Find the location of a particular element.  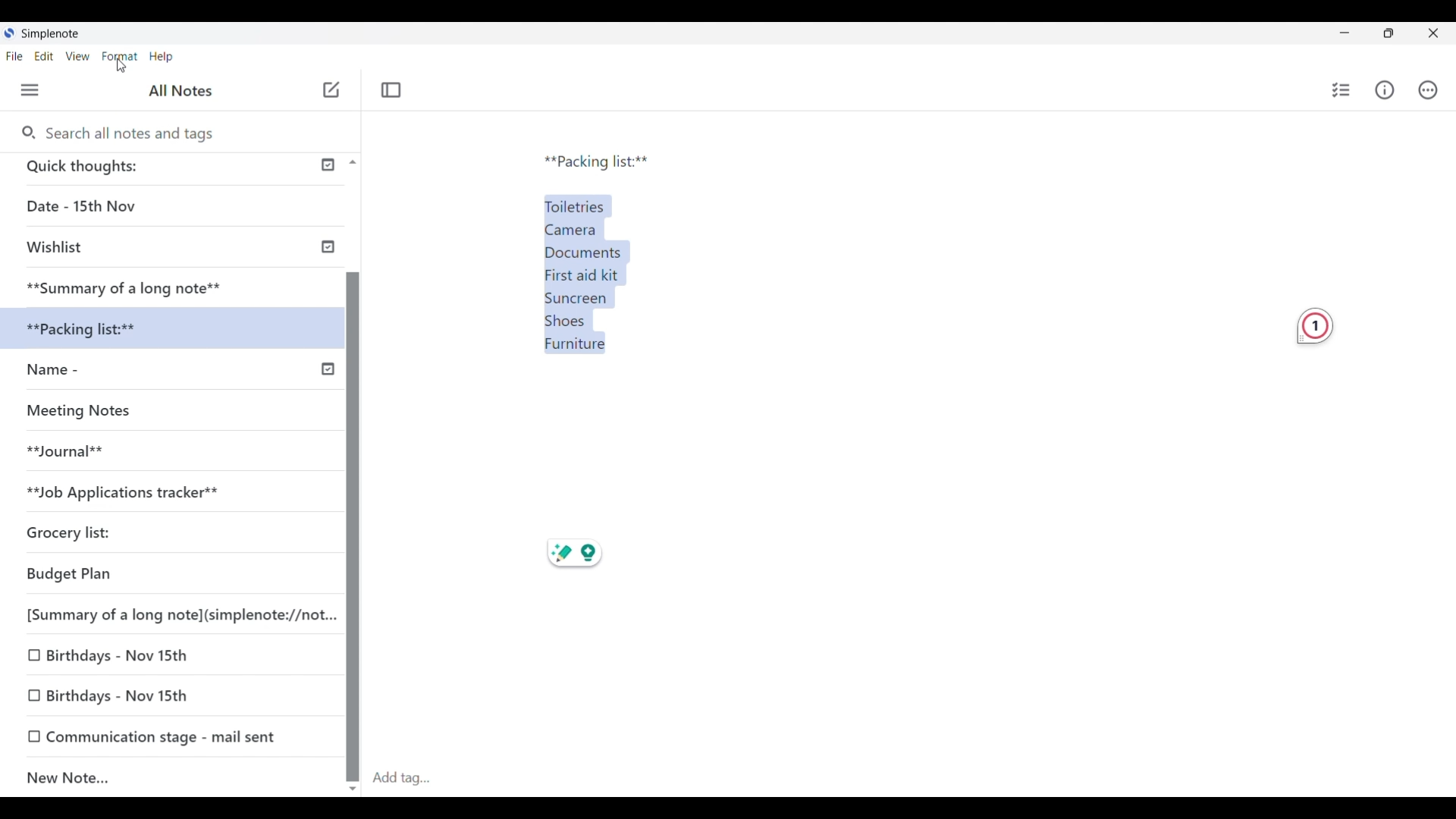

Help menu is located at coordinates (162, 56).